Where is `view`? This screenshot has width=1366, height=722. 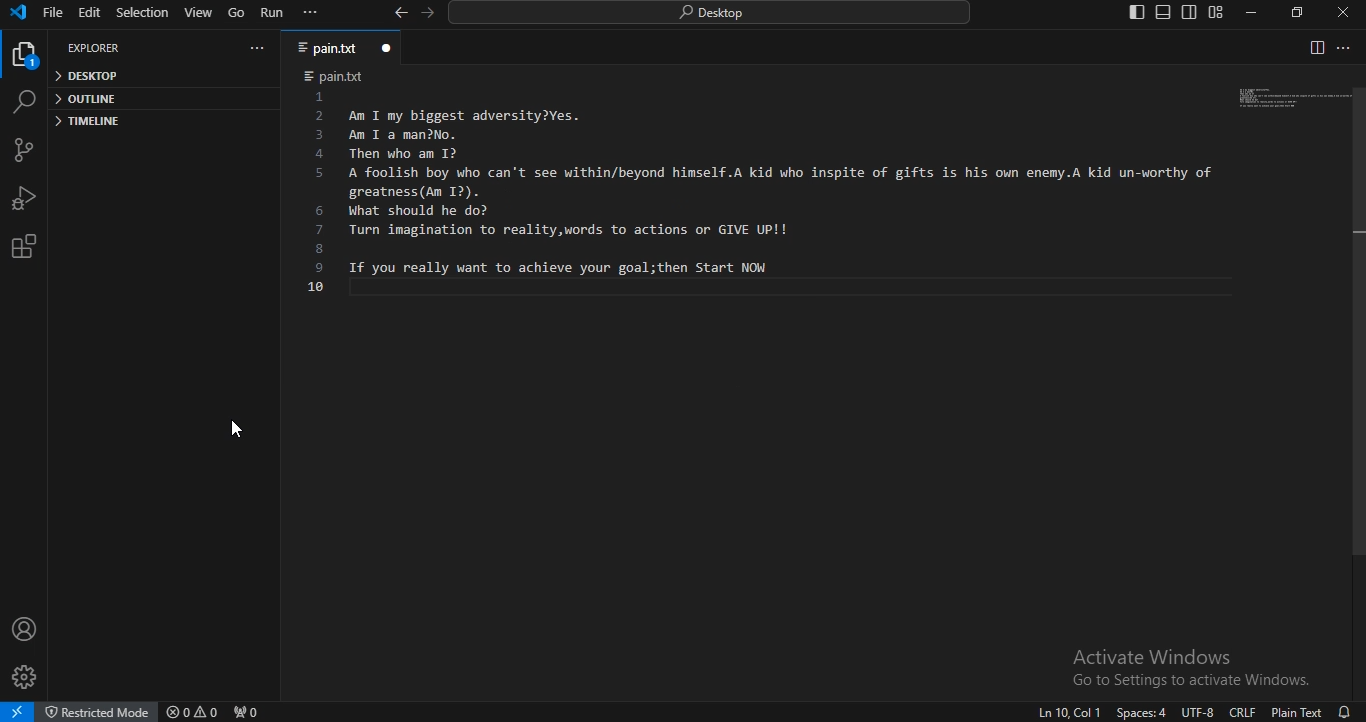 view is located at coordinates (200, 12).